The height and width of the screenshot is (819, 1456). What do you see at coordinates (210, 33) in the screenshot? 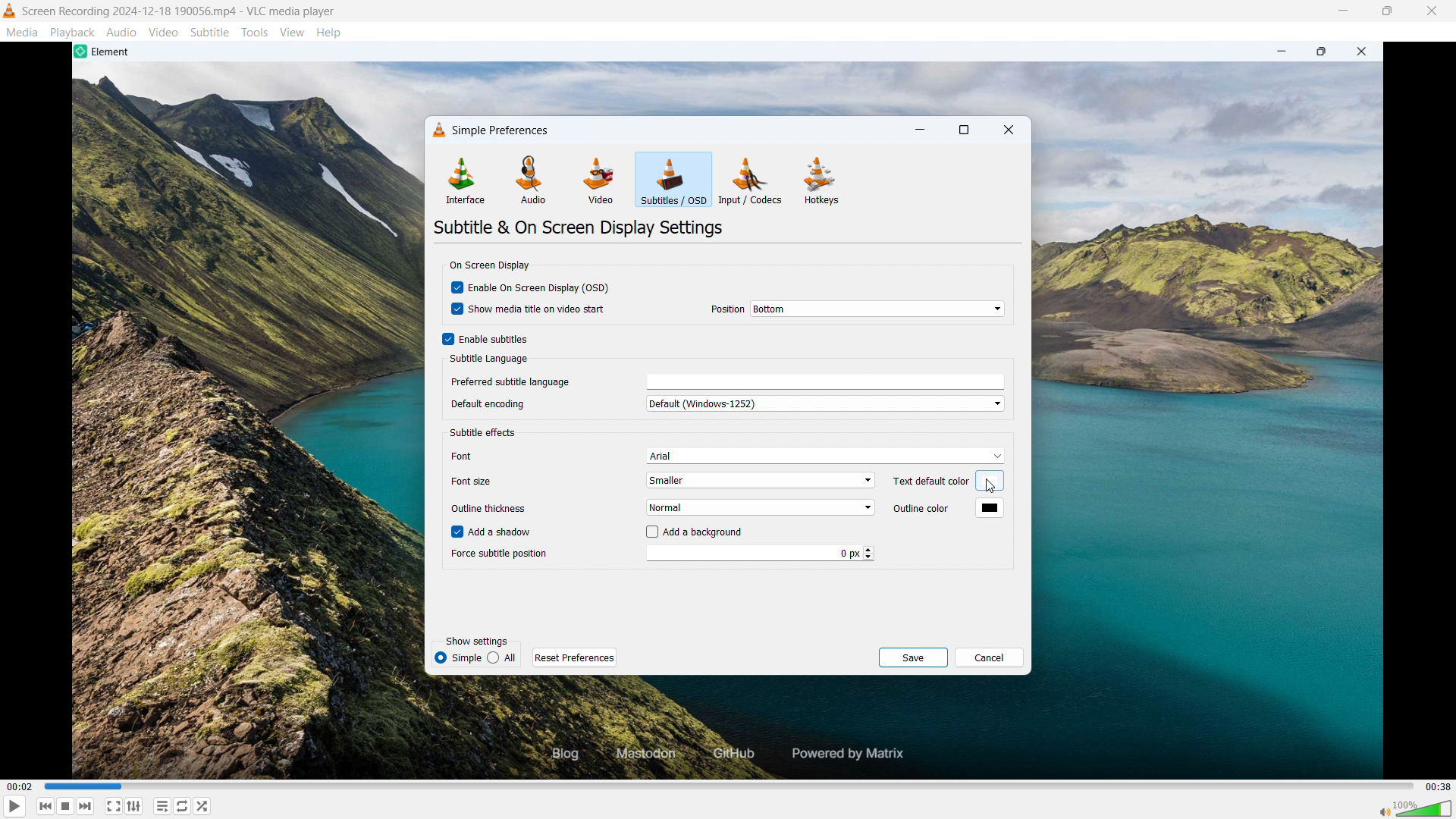
I see `Subtitle ` at bounding box center [210, 33].